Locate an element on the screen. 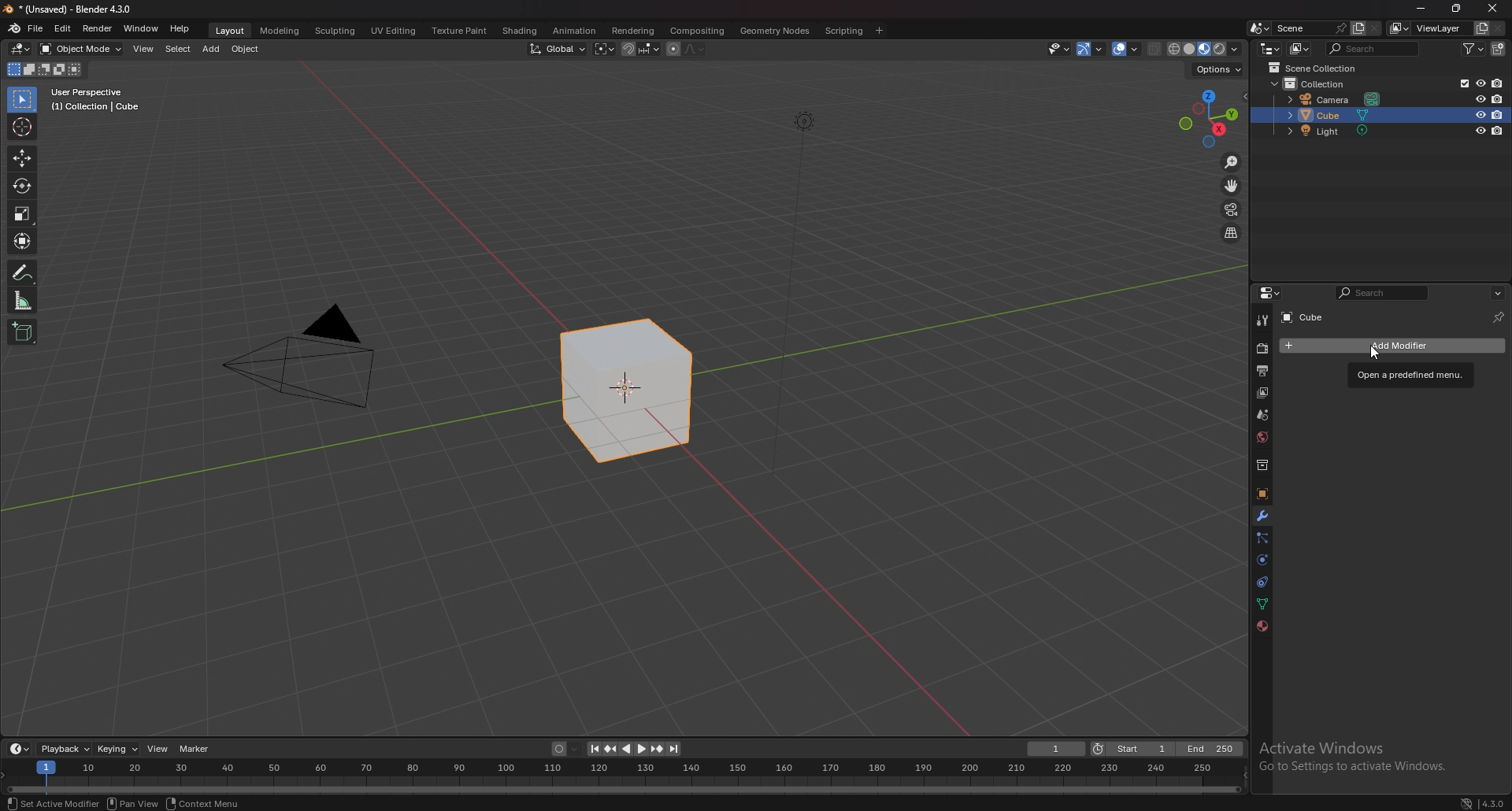  particles is located at coordinates (1262, 537).